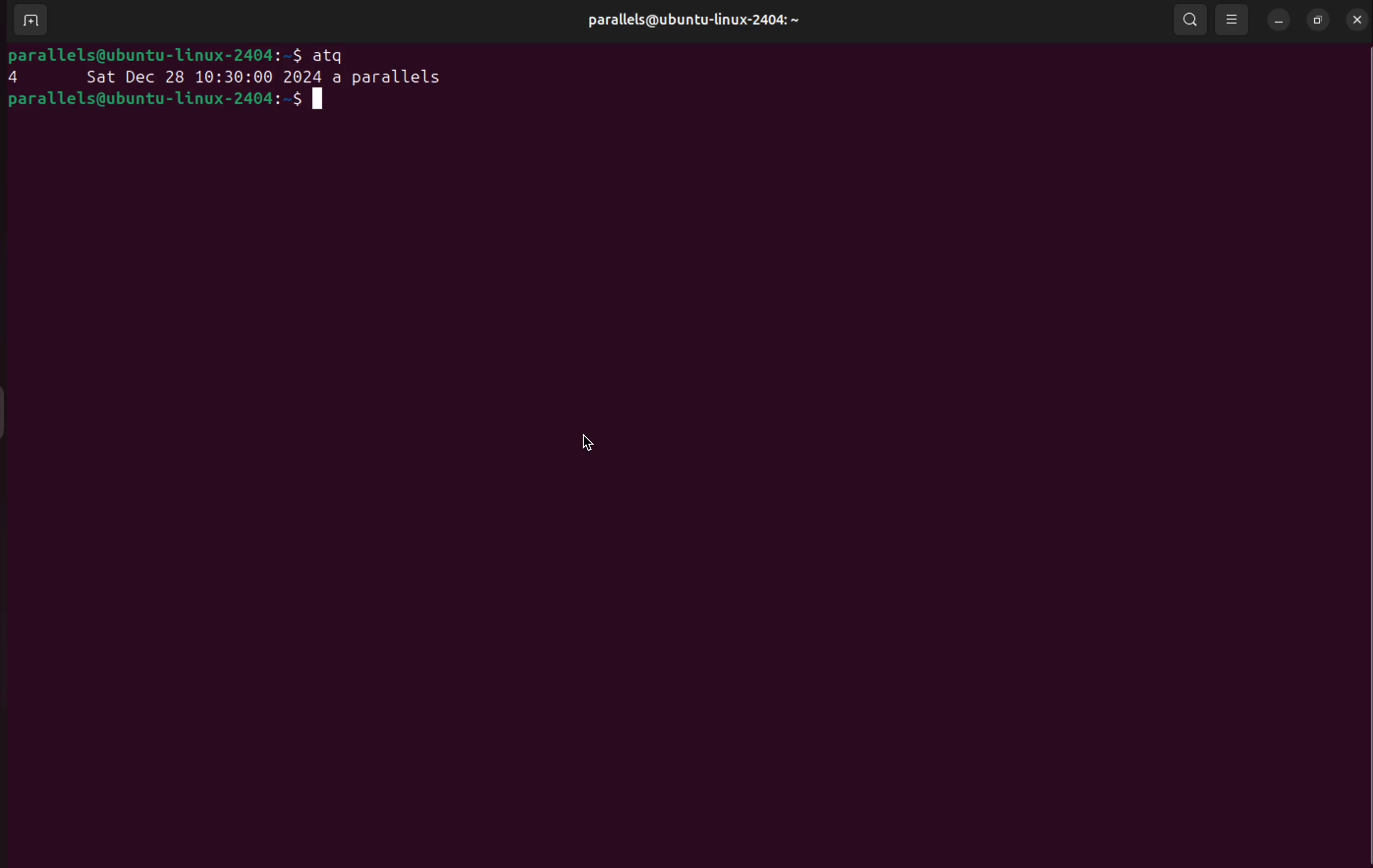 Image resolution: width=1373 pixels, height=868 pixels. Describe the element at coordinates (1355, 17) in the screenshot. I see `close` at that location.